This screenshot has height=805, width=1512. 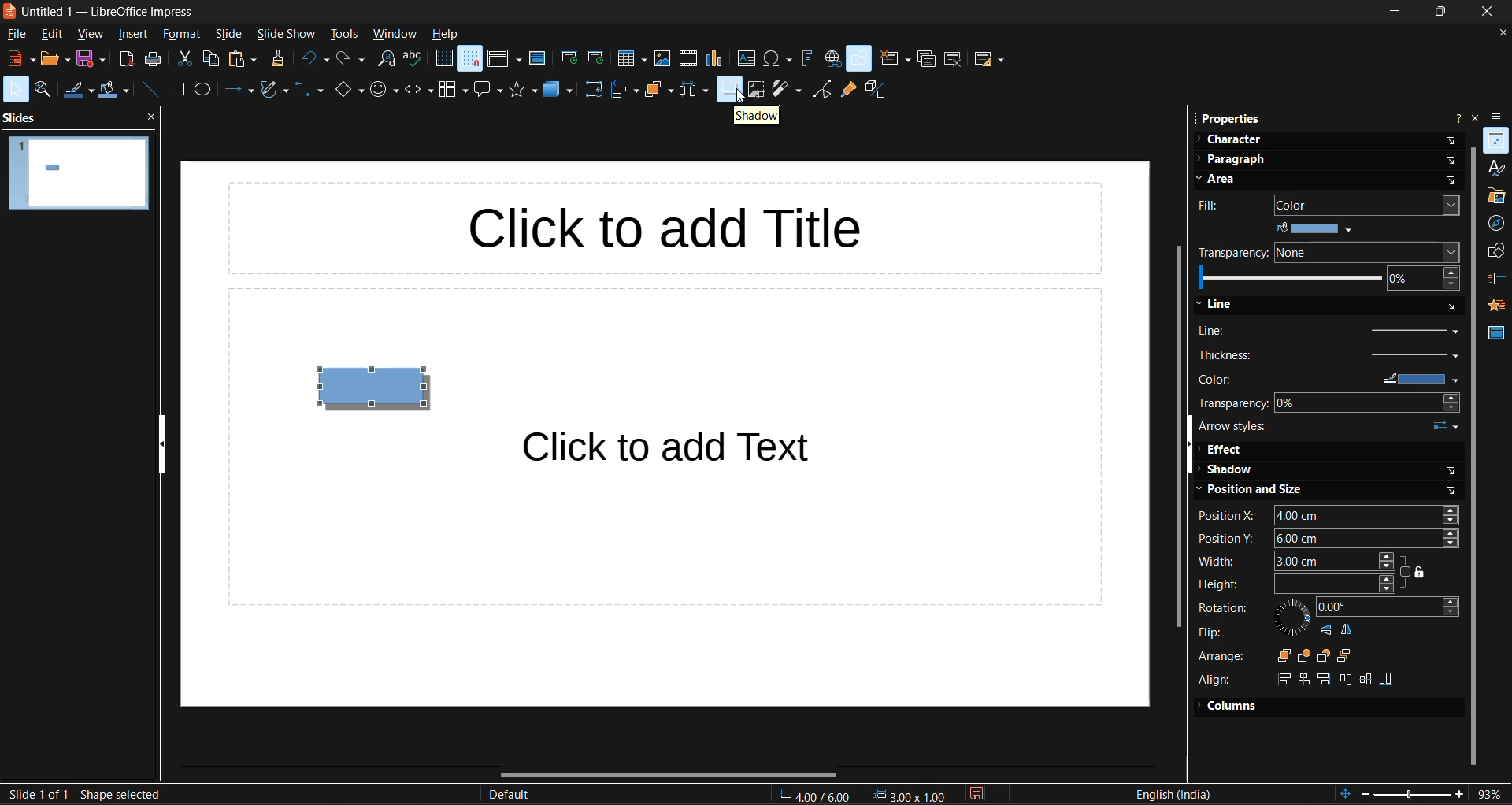 What do you see at coordinates (445, 34) in the screenshot?
I see `help` at bounding box center [445, 34].